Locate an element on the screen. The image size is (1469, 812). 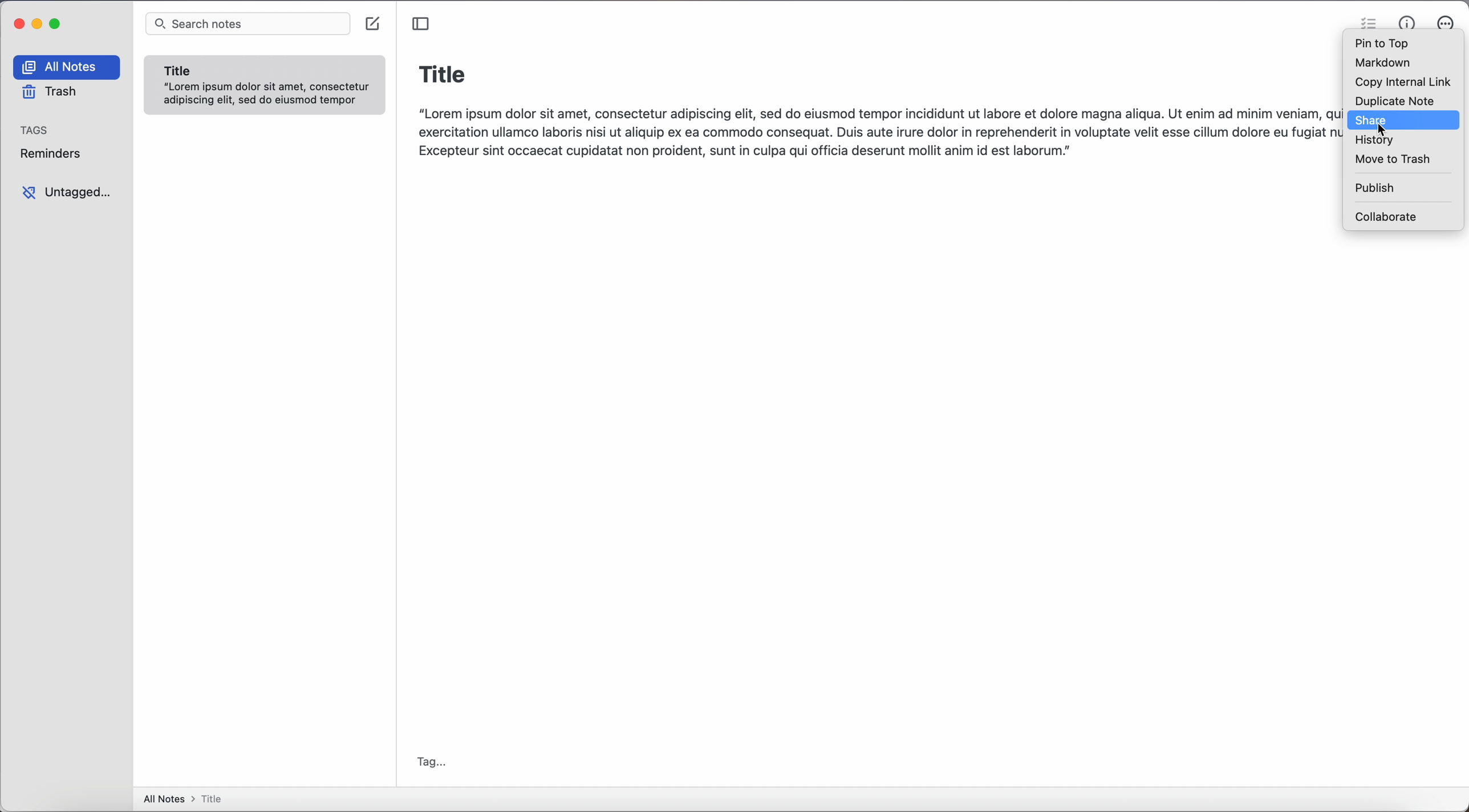
minimize app is located at coordinates (38, 24).